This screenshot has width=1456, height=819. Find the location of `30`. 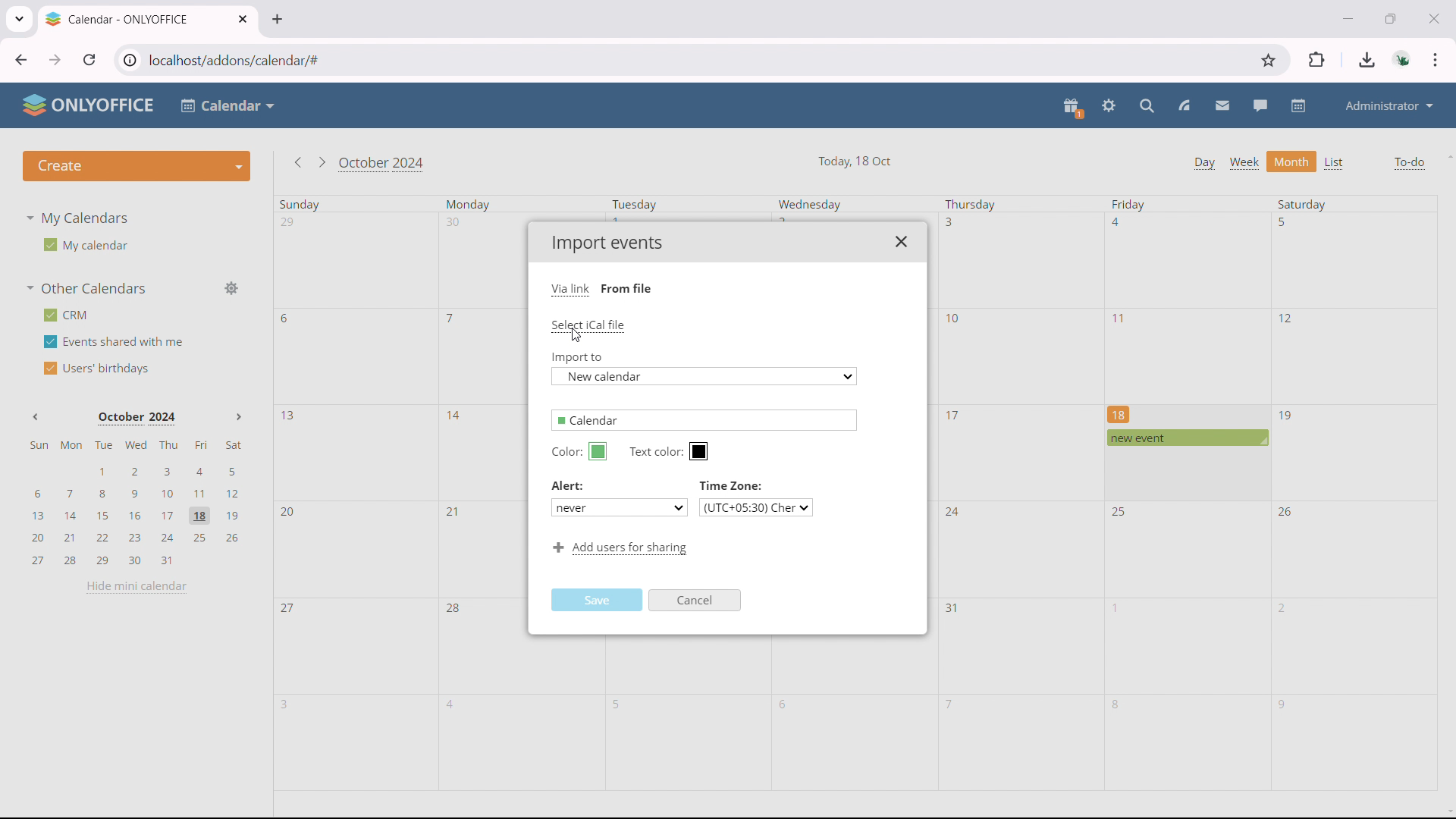

30 is located at coordinates (454, 222).